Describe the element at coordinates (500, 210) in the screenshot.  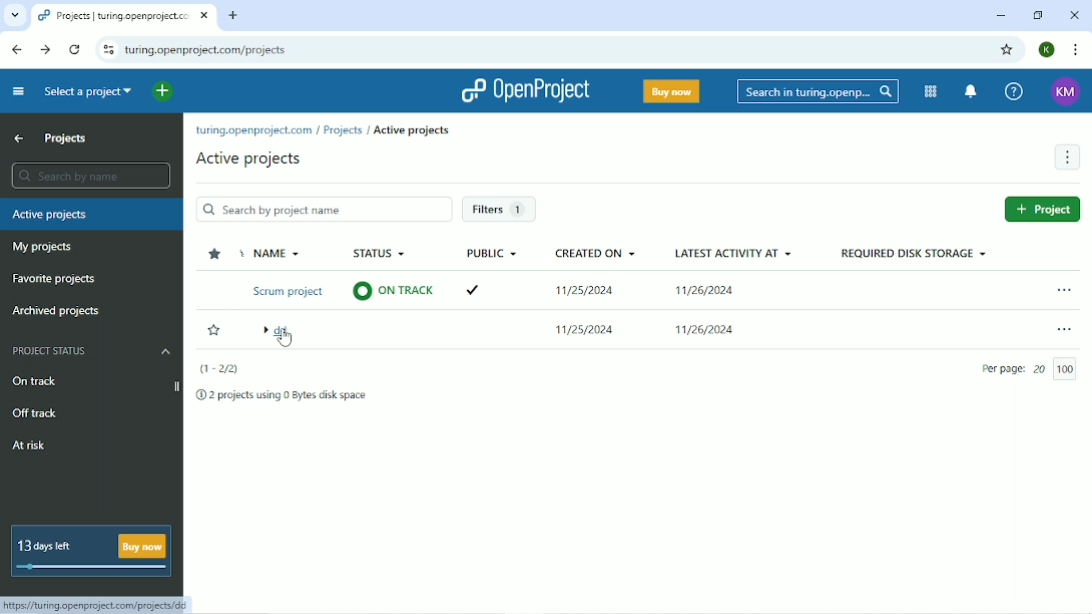
I see `Filters 1` at that location.